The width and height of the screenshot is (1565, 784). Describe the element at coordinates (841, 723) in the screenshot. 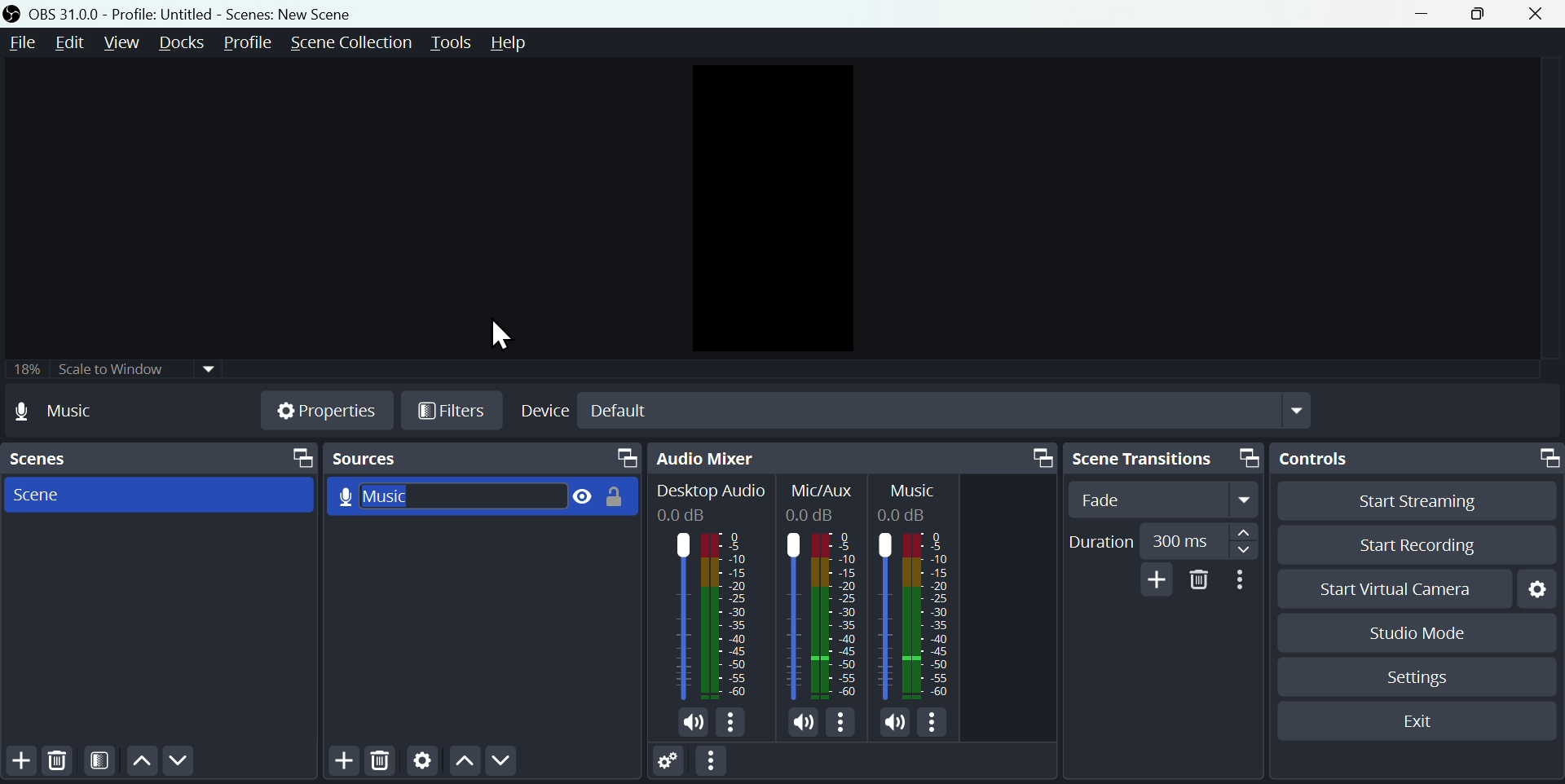

I see `Options` at that location.